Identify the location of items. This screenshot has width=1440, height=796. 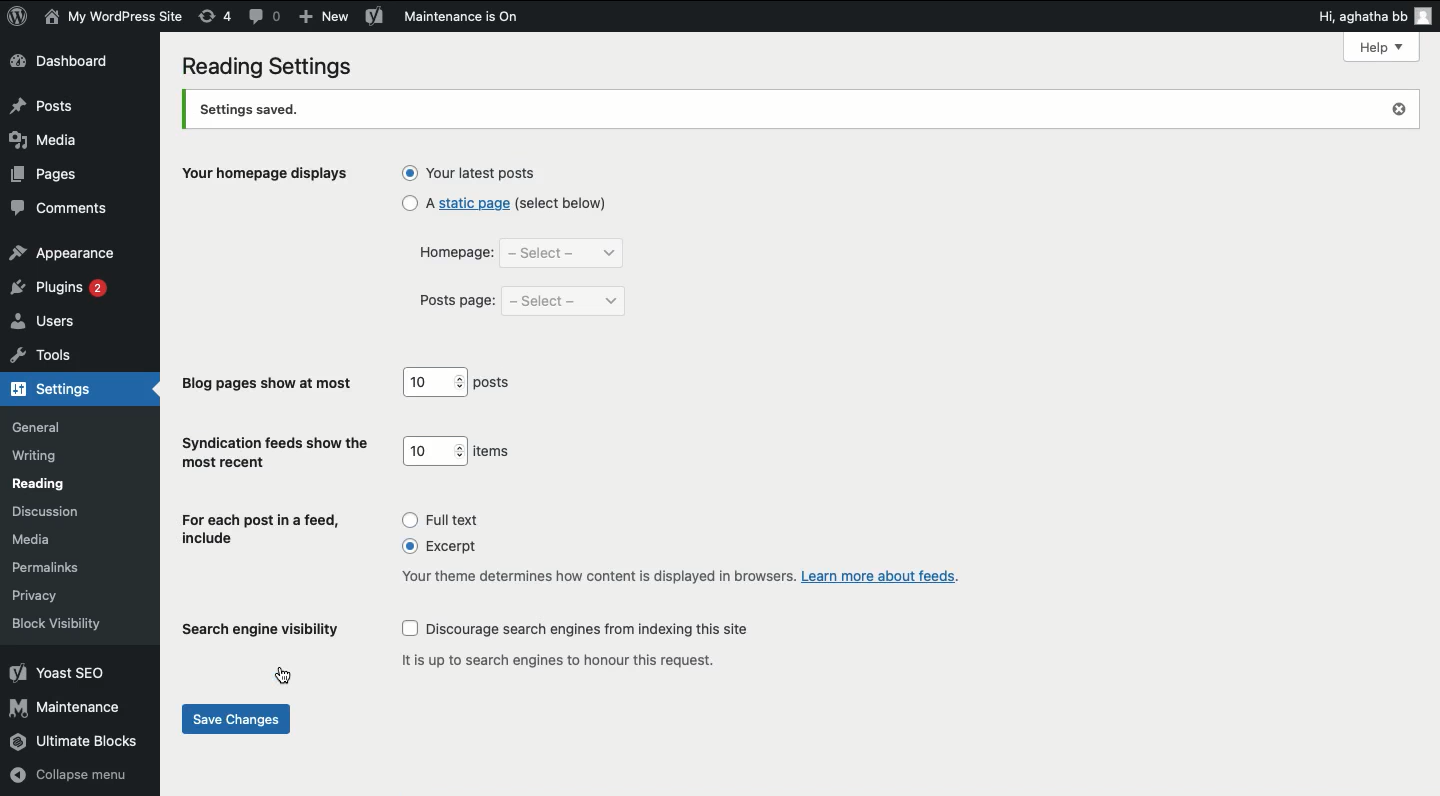
(493, 452).